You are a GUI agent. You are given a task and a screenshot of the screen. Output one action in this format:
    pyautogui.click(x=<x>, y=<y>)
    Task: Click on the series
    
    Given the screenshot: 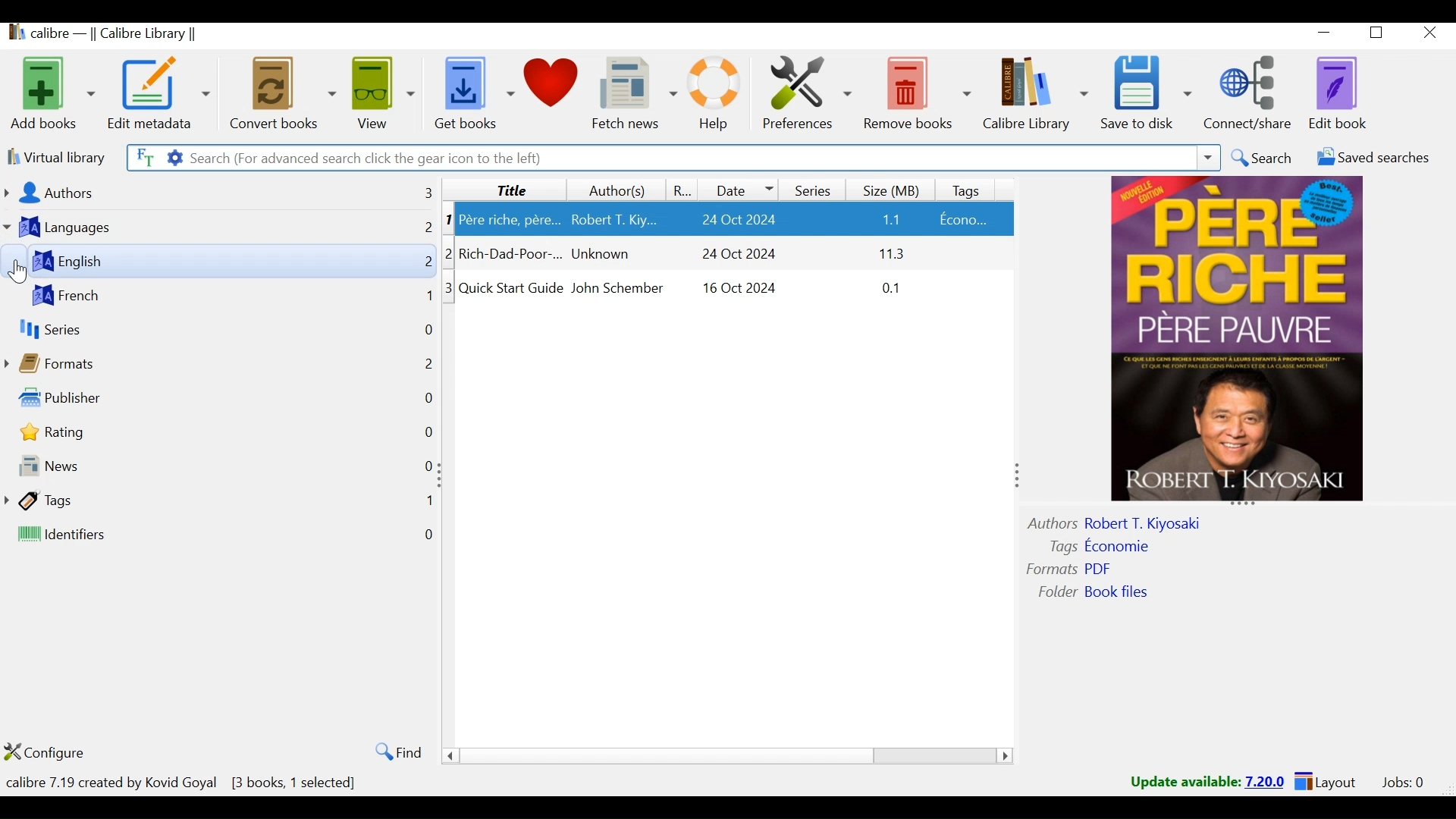 What is the action you would take?
    pyautogui.click(x=63, y=329)
    